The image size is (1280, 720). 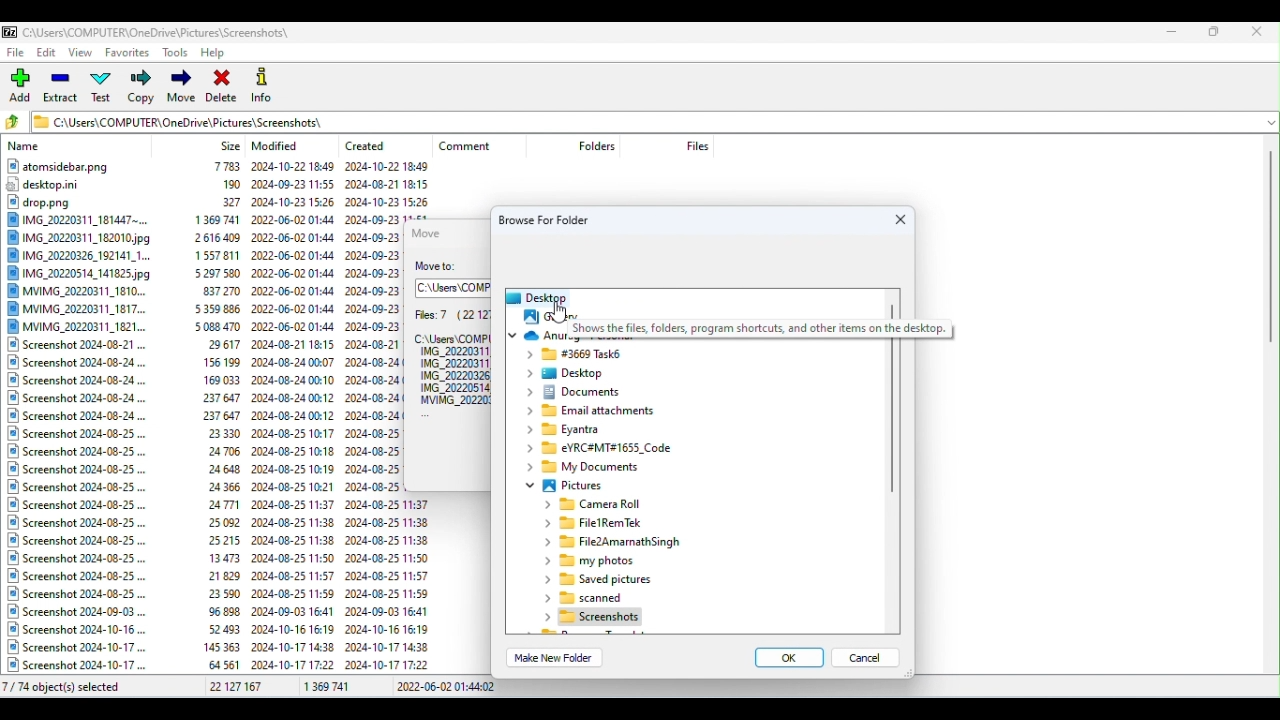 What do you see at coordinates (126, 55) in the screenshot?
I see `Favorites` at bounding box center [126, 55].